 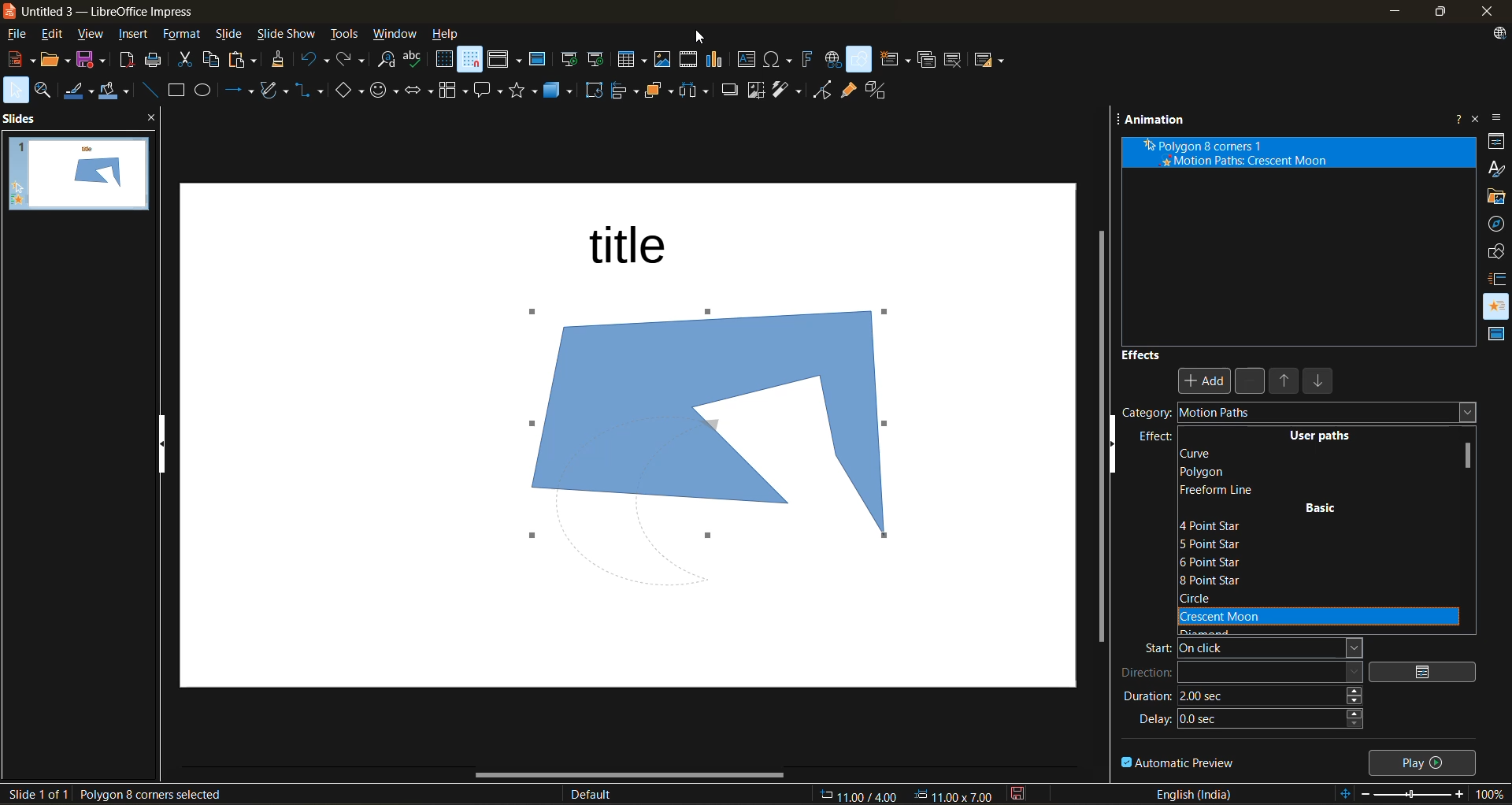 What do you see at coordinates (50, 90) in the screenshot?
I see `zoom and pan` at bounding box center [50, 90].